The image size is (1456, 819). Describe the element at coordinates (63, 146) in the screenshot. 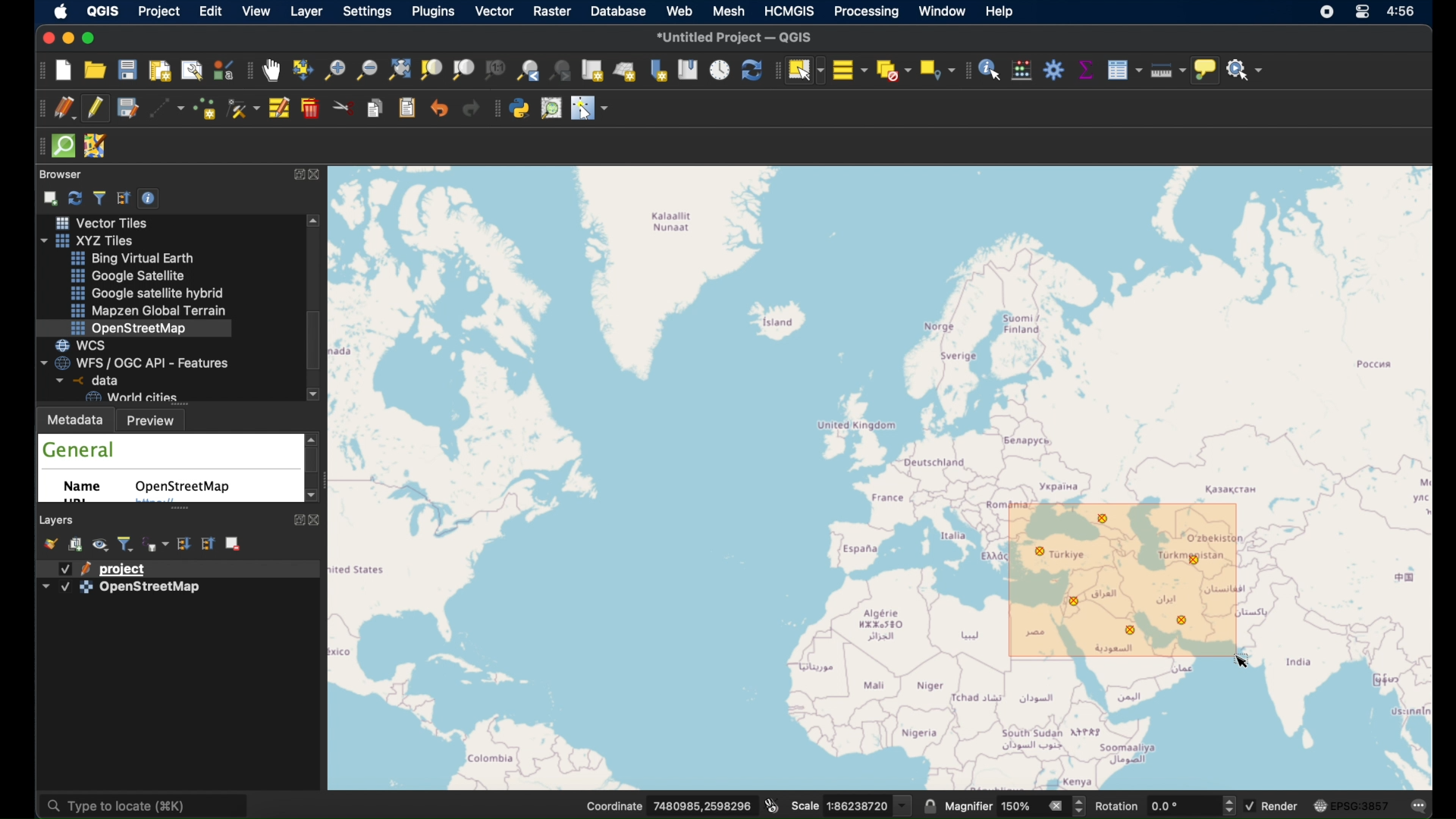

I see `quick osm` at that location.